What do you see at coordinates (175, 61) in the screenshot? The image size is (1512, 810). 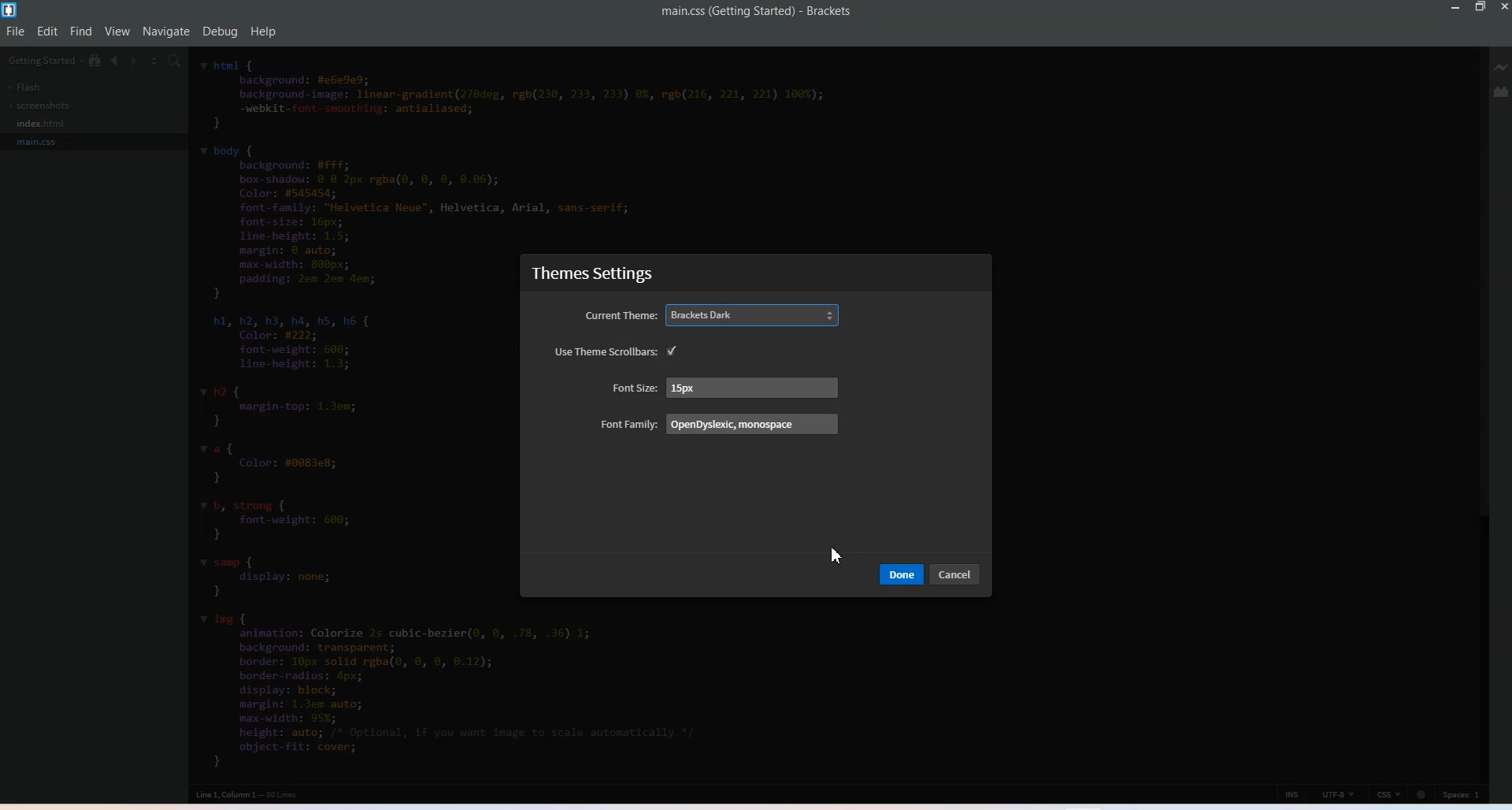 I see `Find in files` at bounding box center [175, 61].